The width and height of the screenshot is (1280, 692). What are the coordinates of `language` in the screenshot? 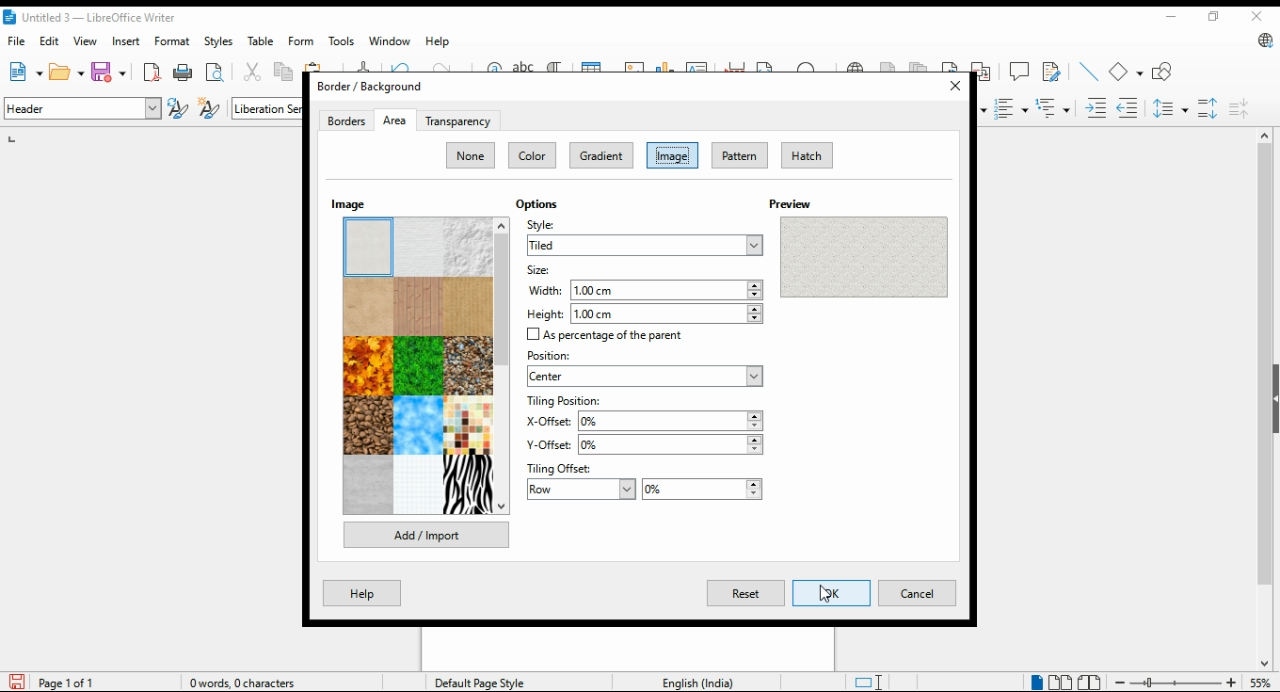 It's located at (696, 681).